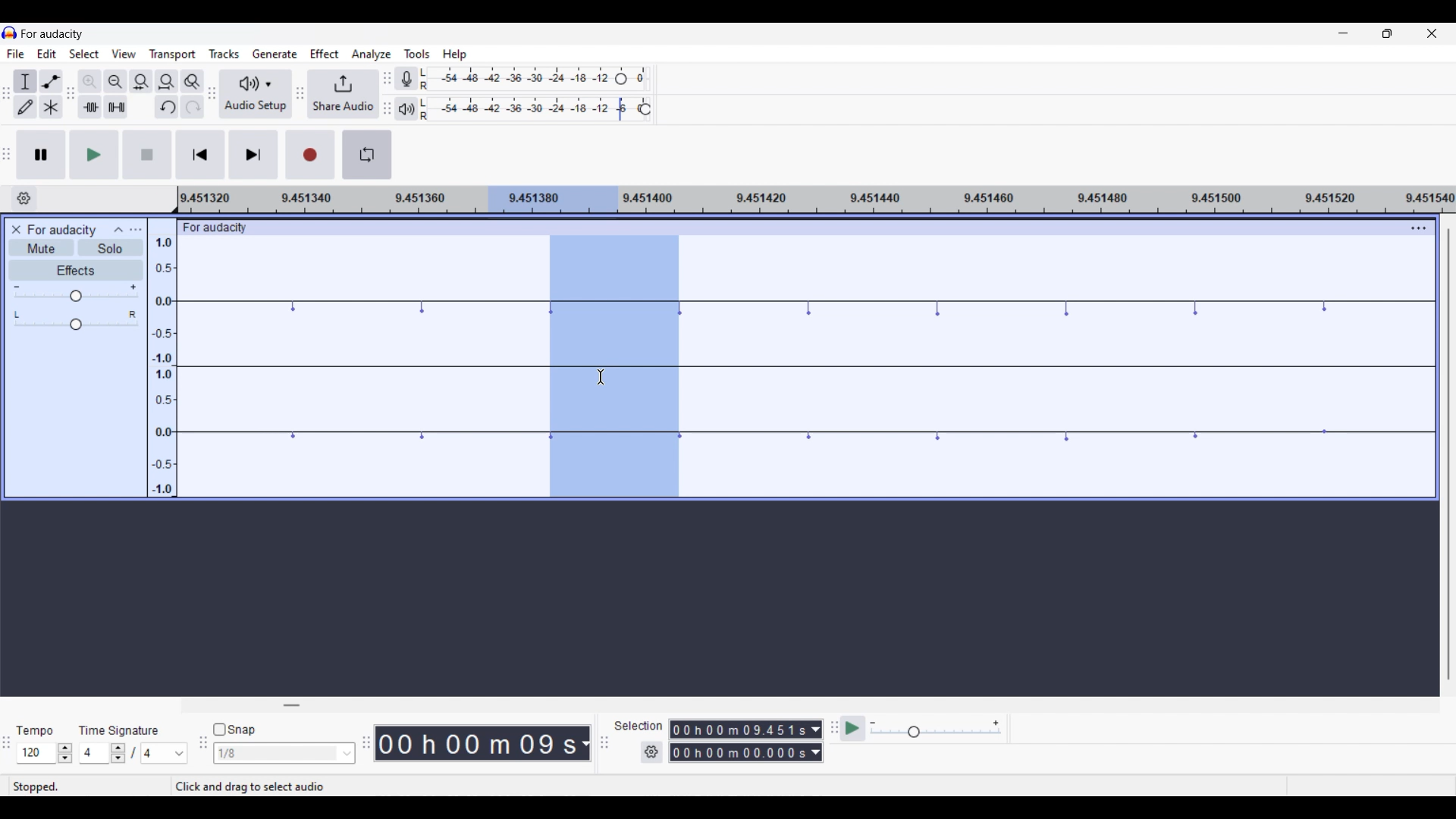  I want to click on Snap toggle, so click(234, 729).